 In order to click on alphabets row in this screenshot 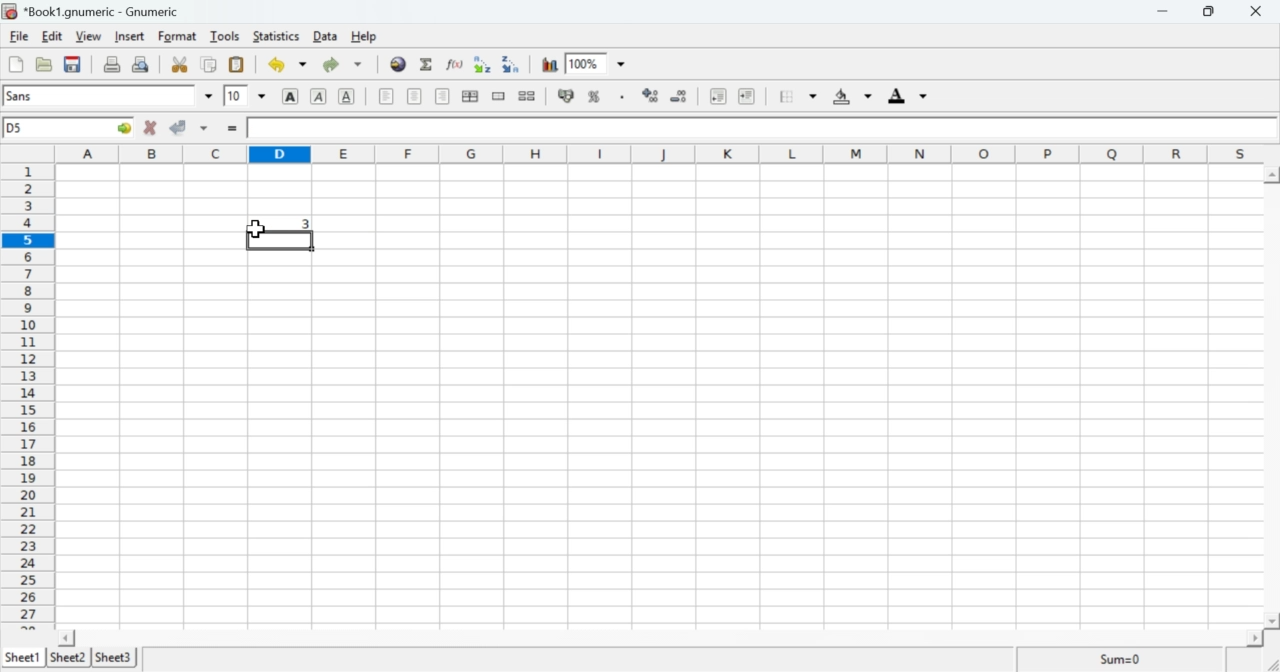, I will do `click(655, 152)`.